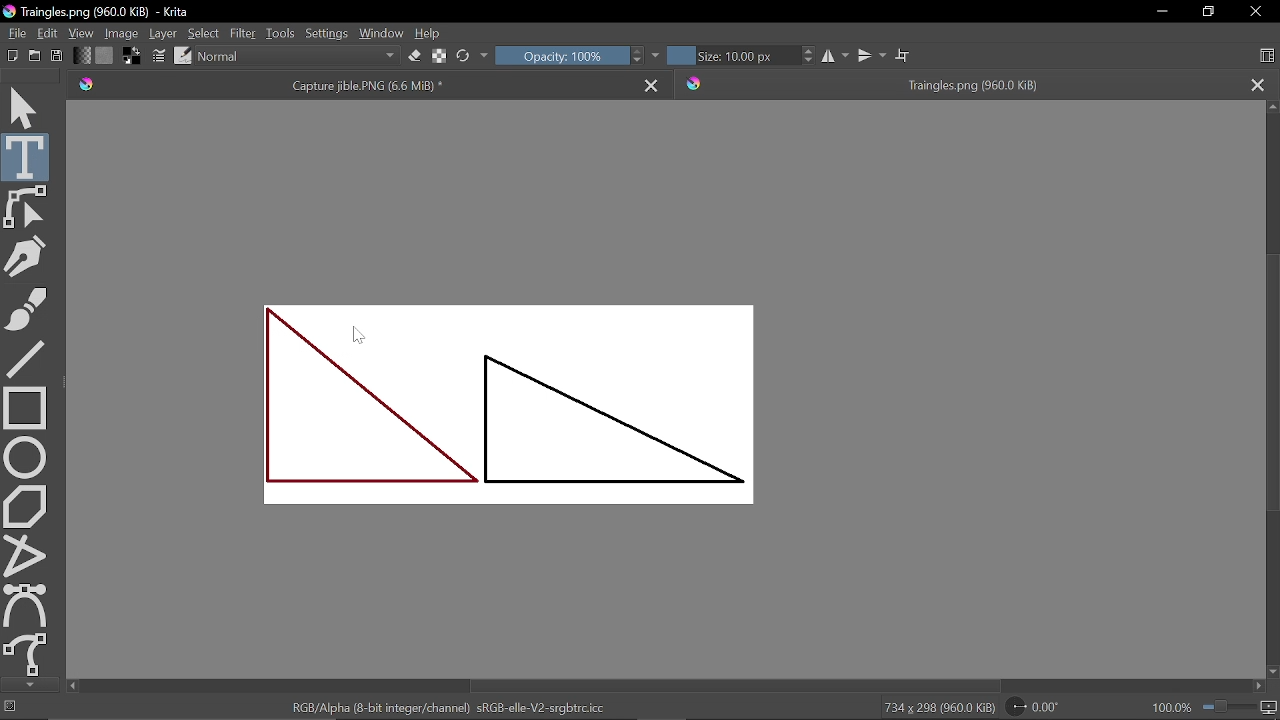  Describe the element at coordinates (734, 687) in the screenshot. I see `Horizontal scrollbar` at that location.